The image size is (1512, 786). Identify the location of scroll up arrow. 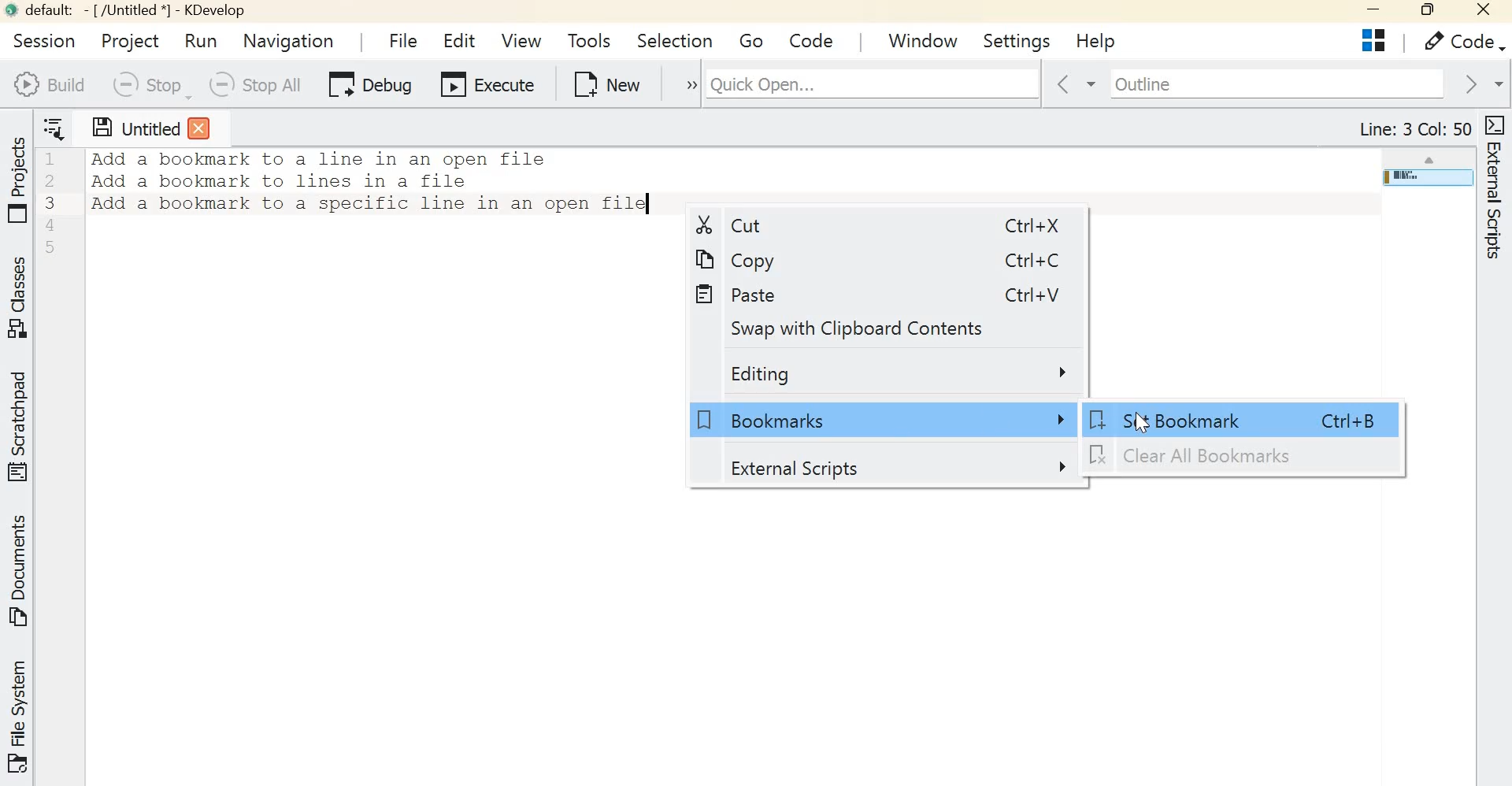
(1429, 157).